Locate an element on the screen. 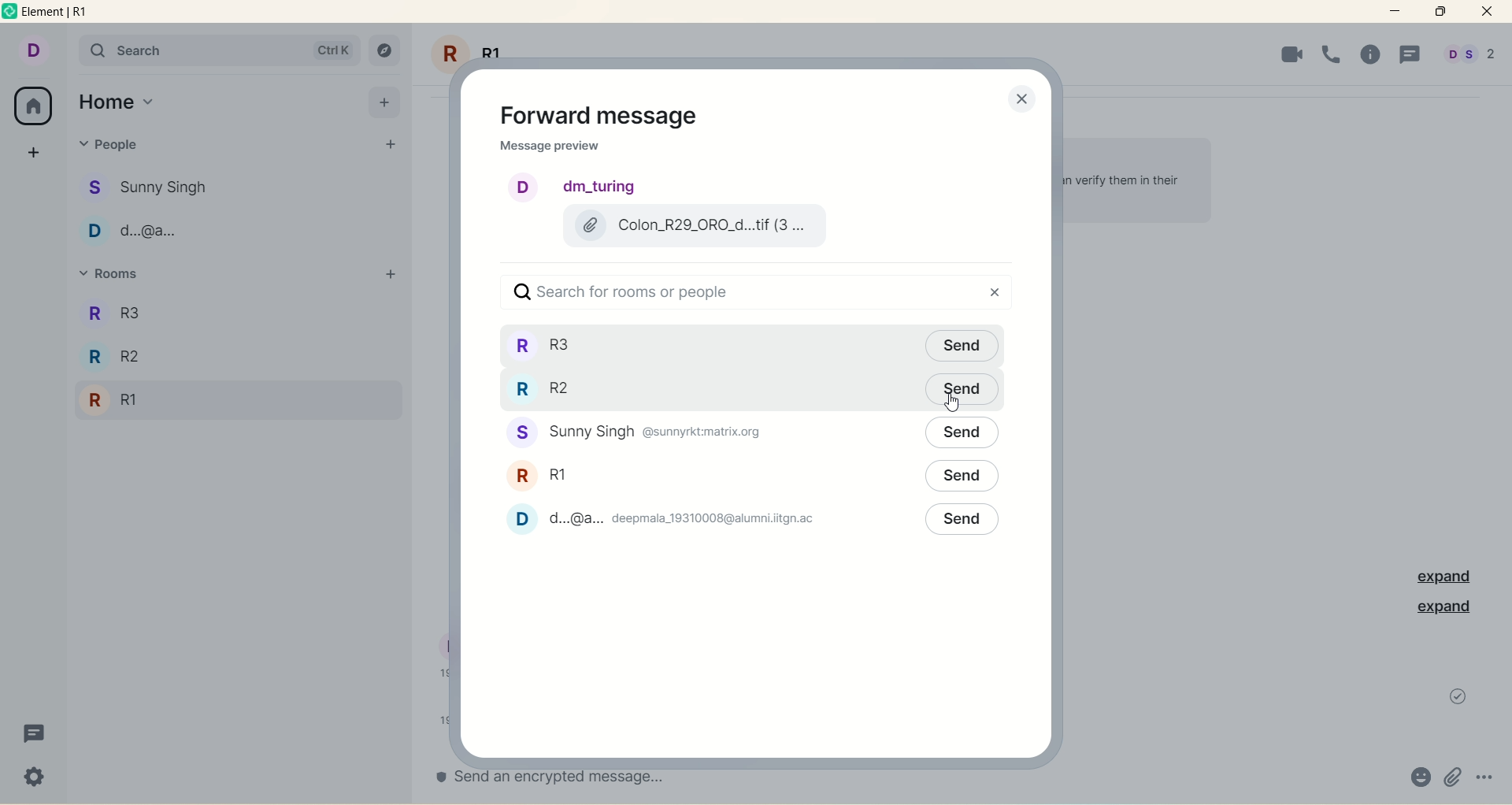 This screenshot has width=1512, height=805. emoji is located at coordinates (1418, 779).